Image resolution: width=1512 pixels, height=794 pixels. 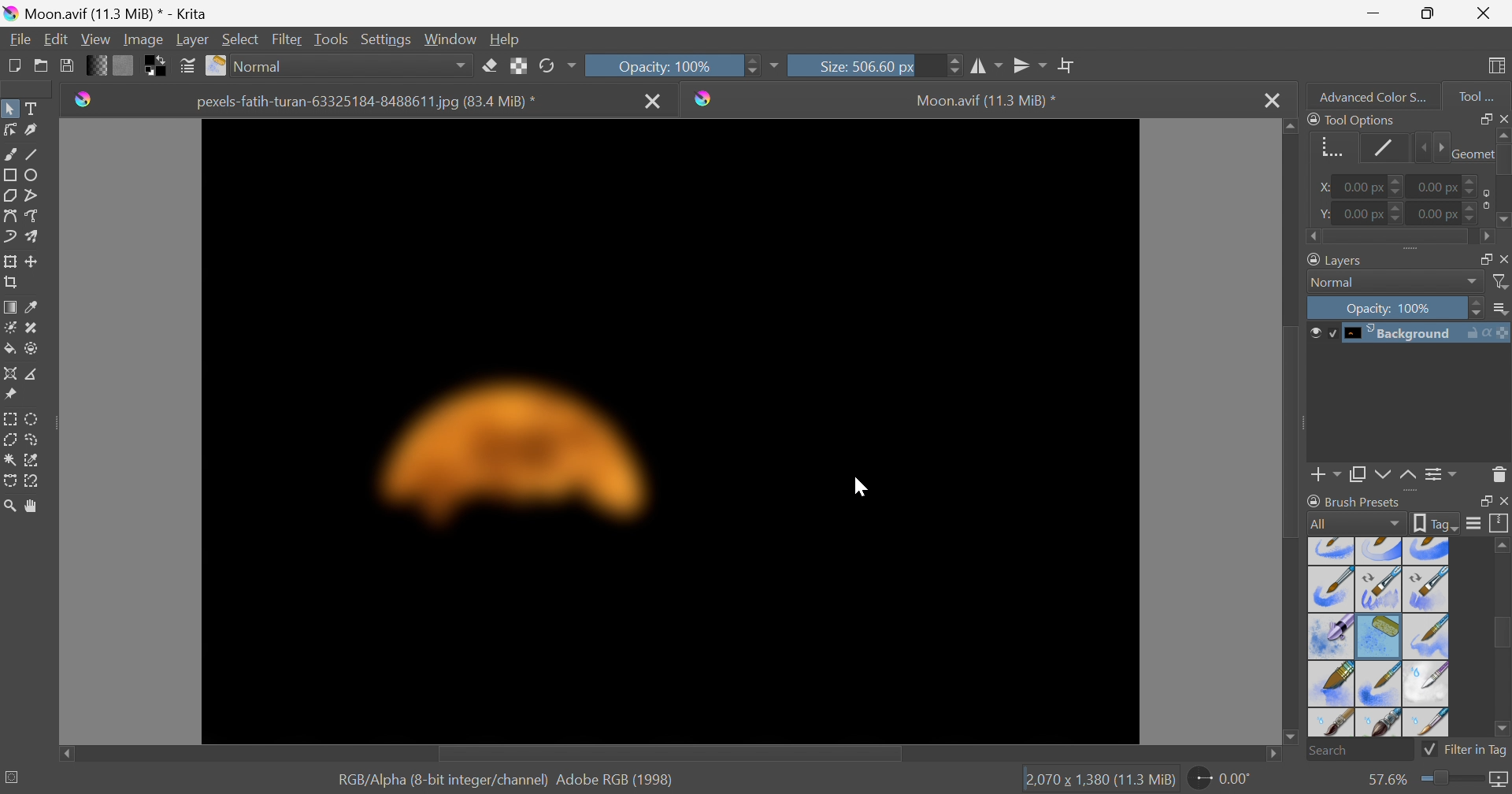 I want to click on File, so click(x=21, y=40).